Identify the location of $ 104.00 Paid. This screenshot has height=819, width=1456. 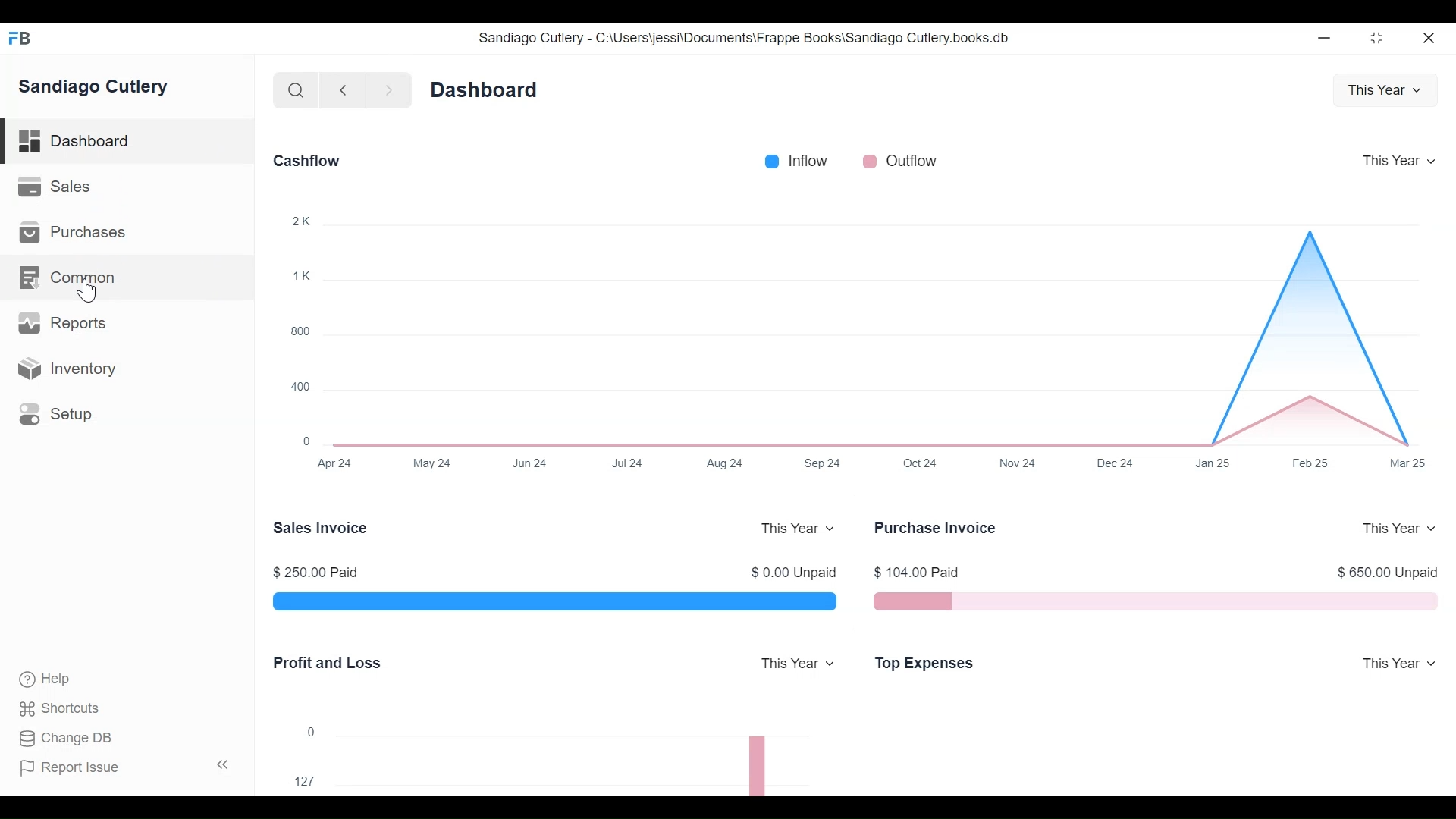
(921, 573).